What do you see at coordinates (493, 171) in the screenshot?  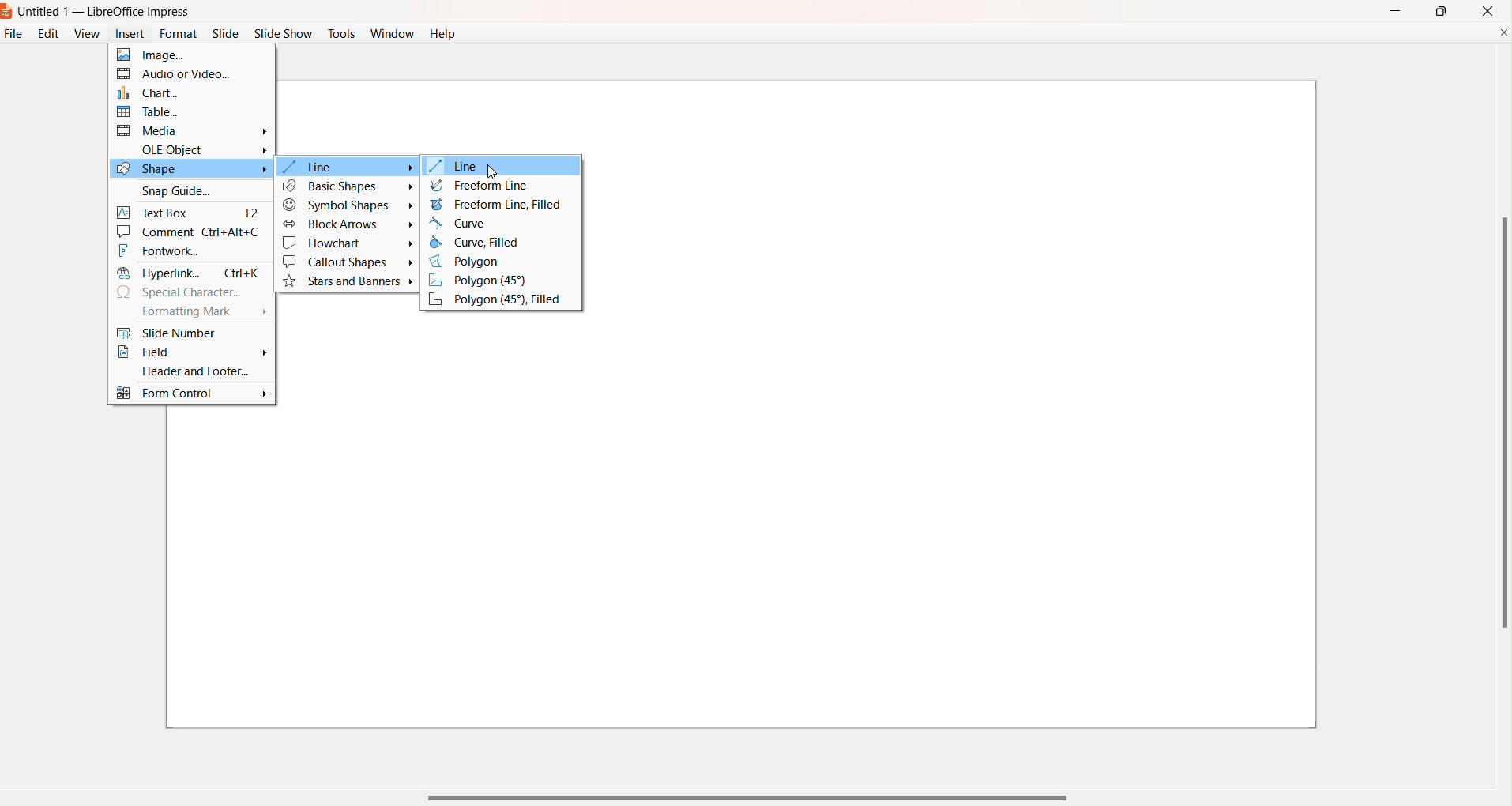 I see `Cursor` at bounding box center [493, 171].